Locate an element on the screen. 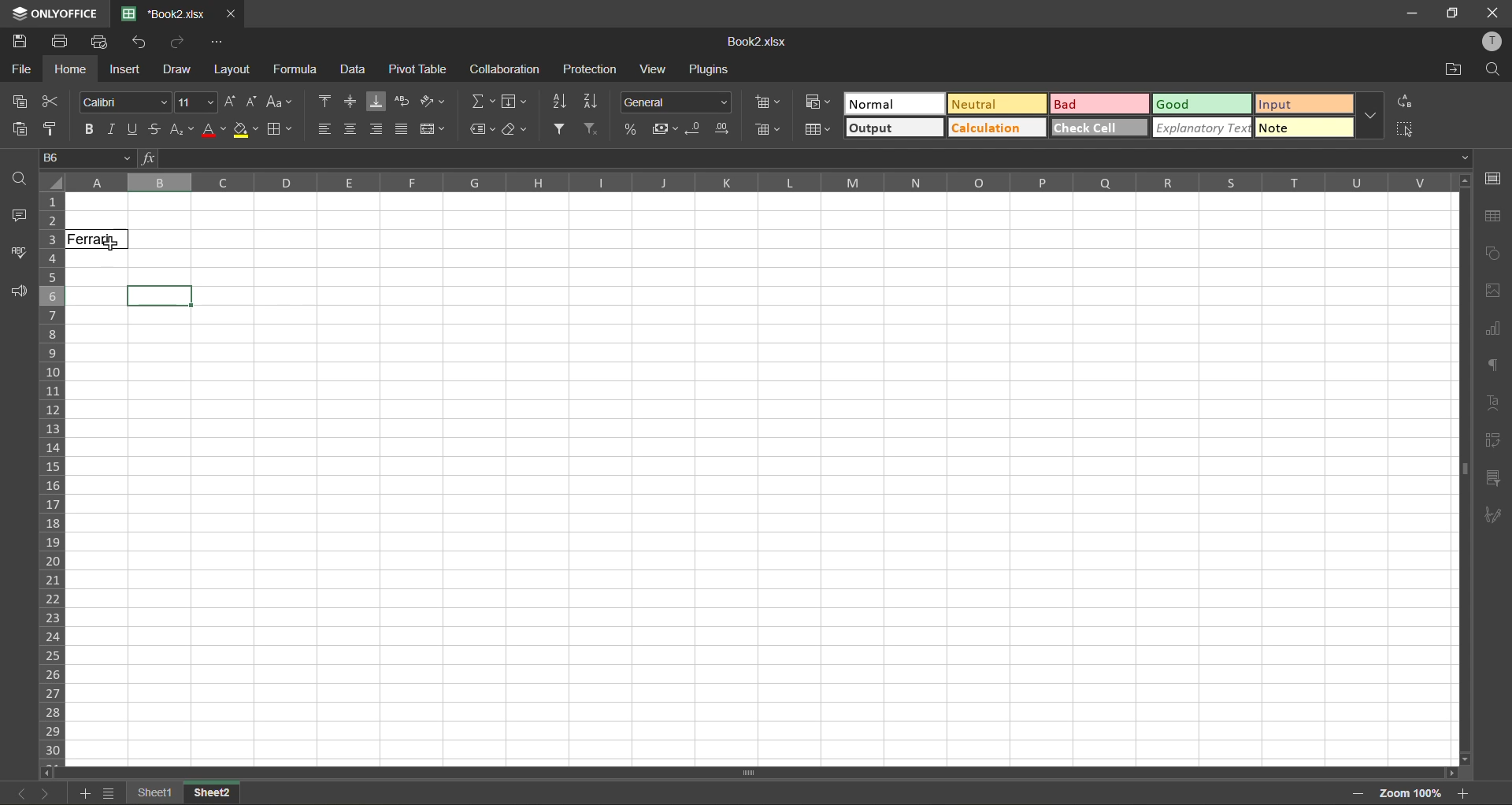  scroll up is located at coordinates (1462, 182).